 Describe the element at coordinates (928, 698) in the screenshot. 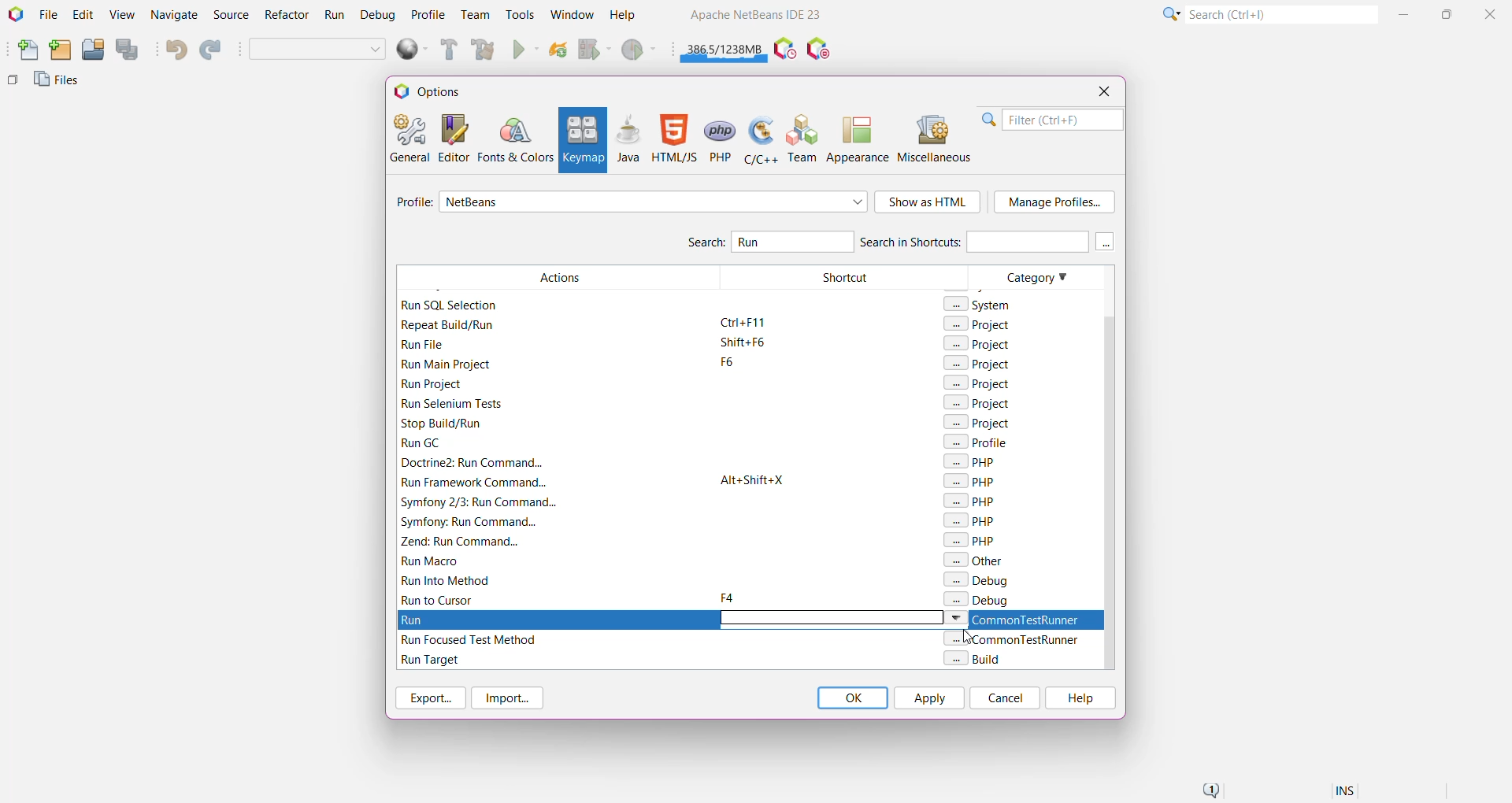

I see `Apply` at that location.